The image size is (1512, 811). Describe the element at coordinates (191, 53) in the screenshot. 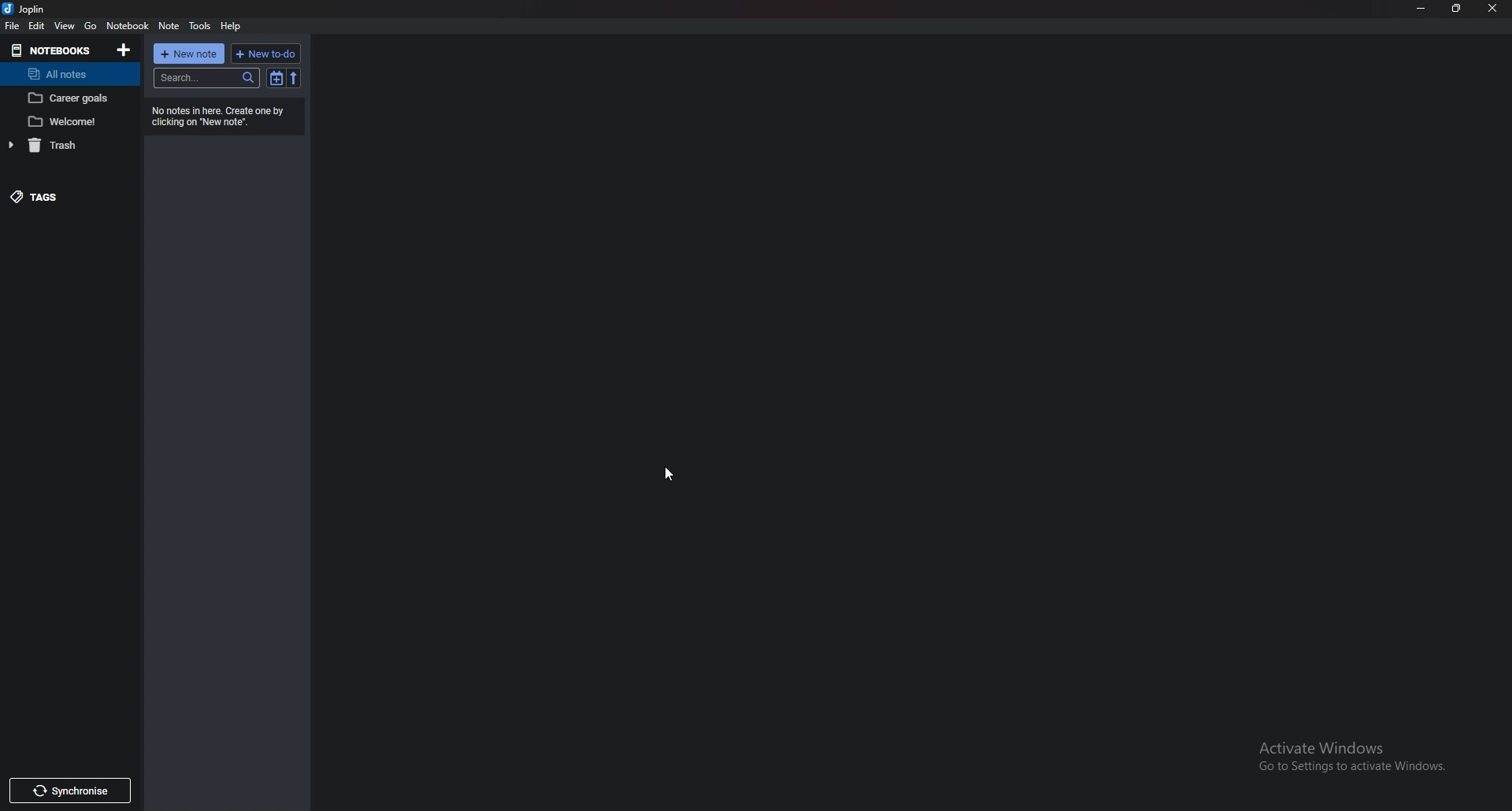

I see `new note` at that location.